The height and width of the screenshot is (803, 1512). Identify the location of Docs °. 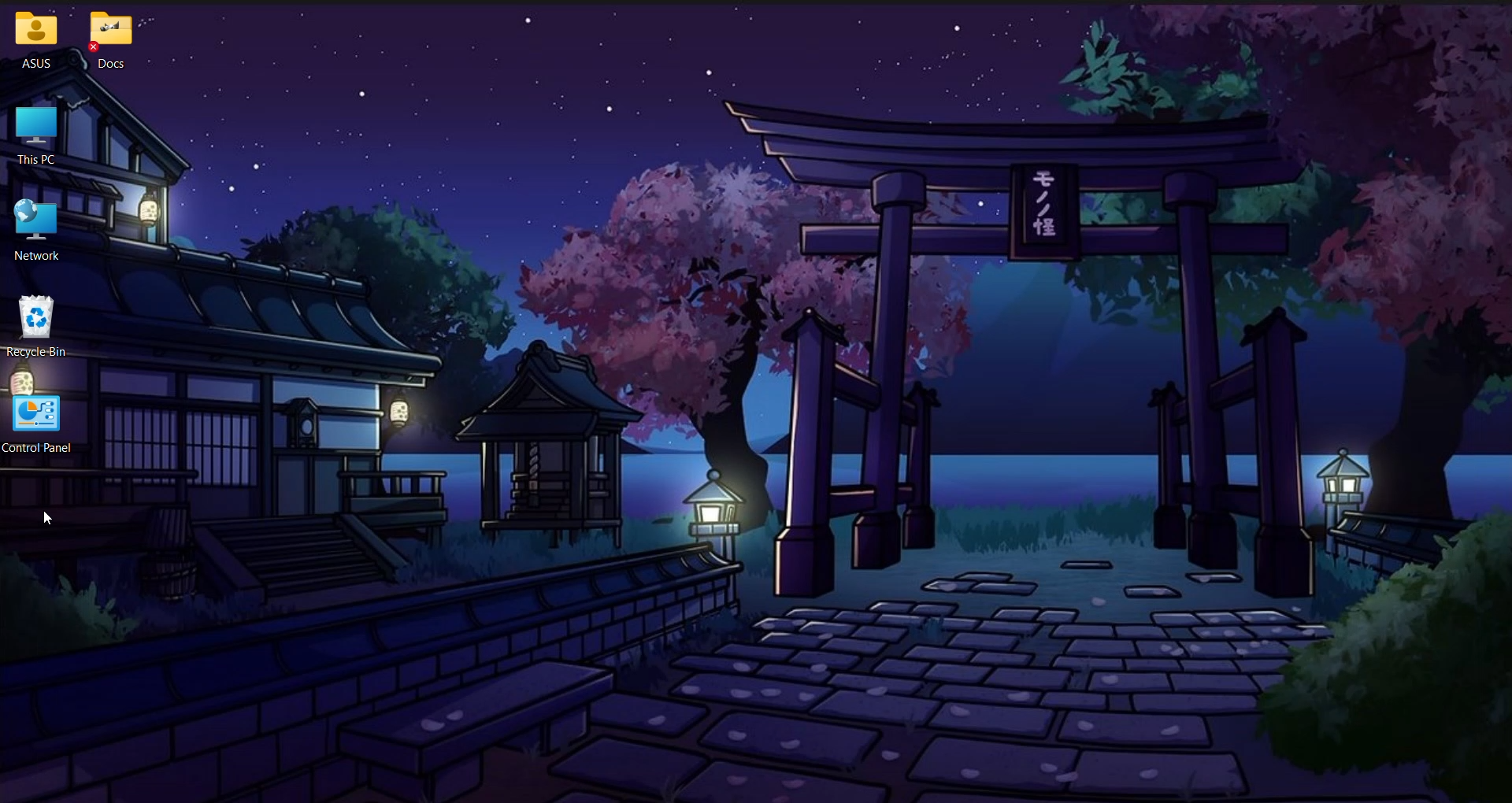
(127, 42).